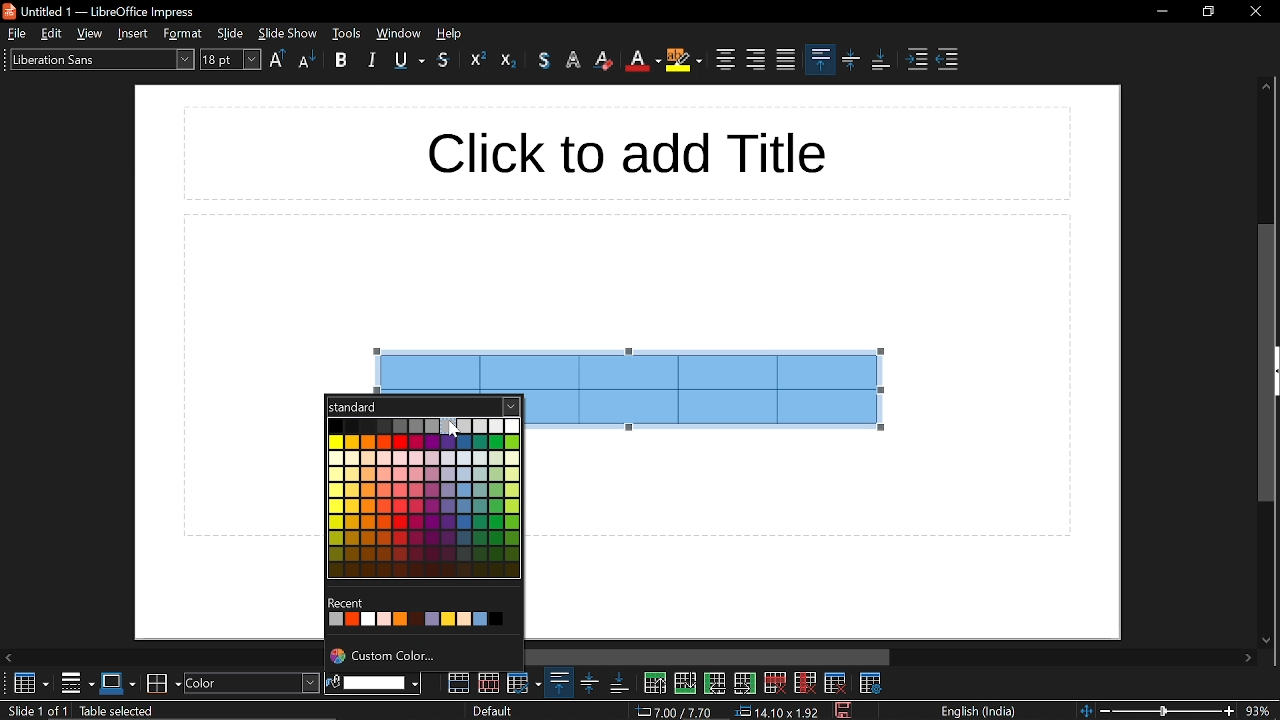 Image resolution: width=1280 pixels, height=720 pixels. What do you see at coordinates (1107, 710) in the screenshot?
I see `zoom out` at bounding box center [1107, 710].